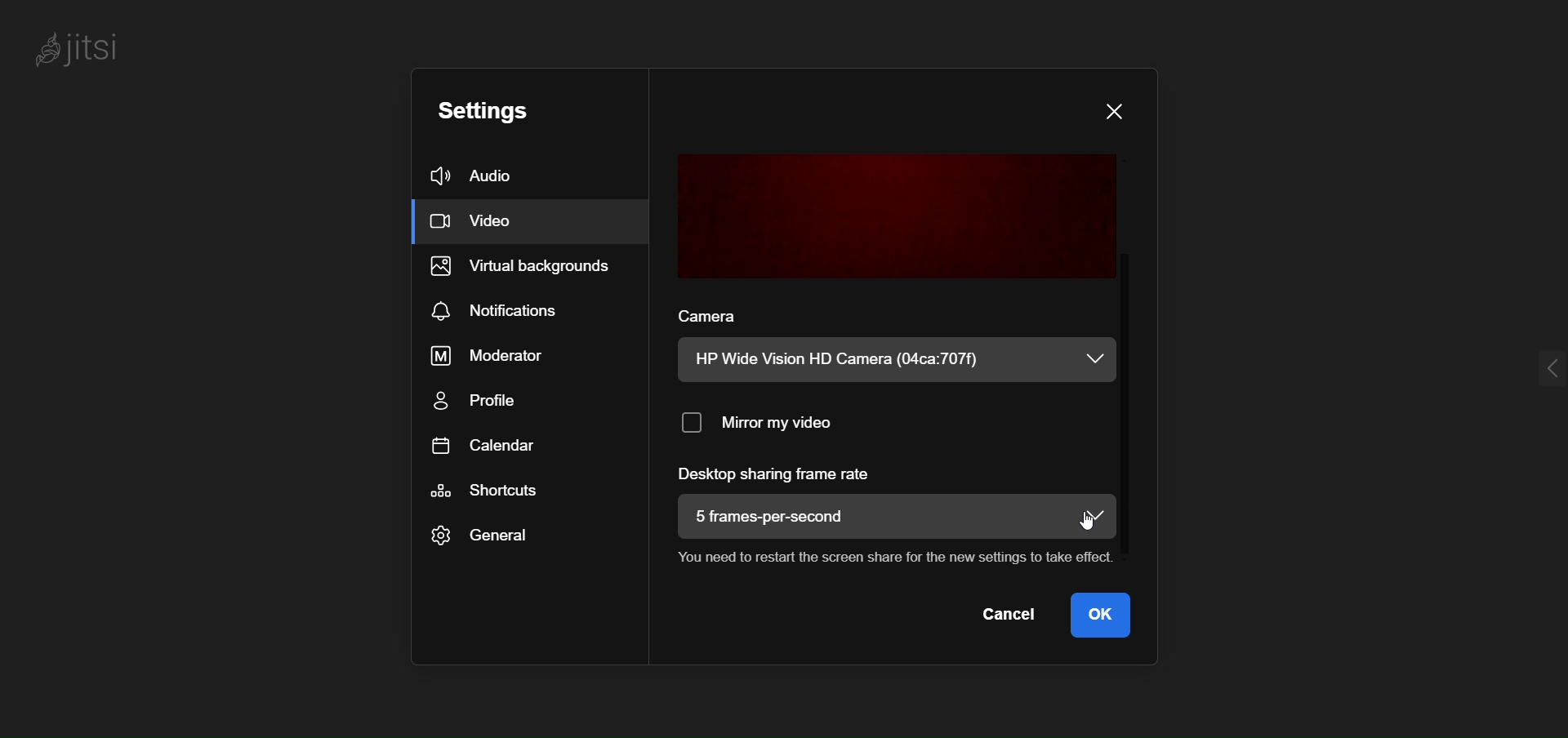 Image resolution: width=1568 pixels, height=738 pixels. What do you see at coordinates (778, 473) in the screenshot?
I see `desktop sharing frame rate` at bounding box center [778, 473].